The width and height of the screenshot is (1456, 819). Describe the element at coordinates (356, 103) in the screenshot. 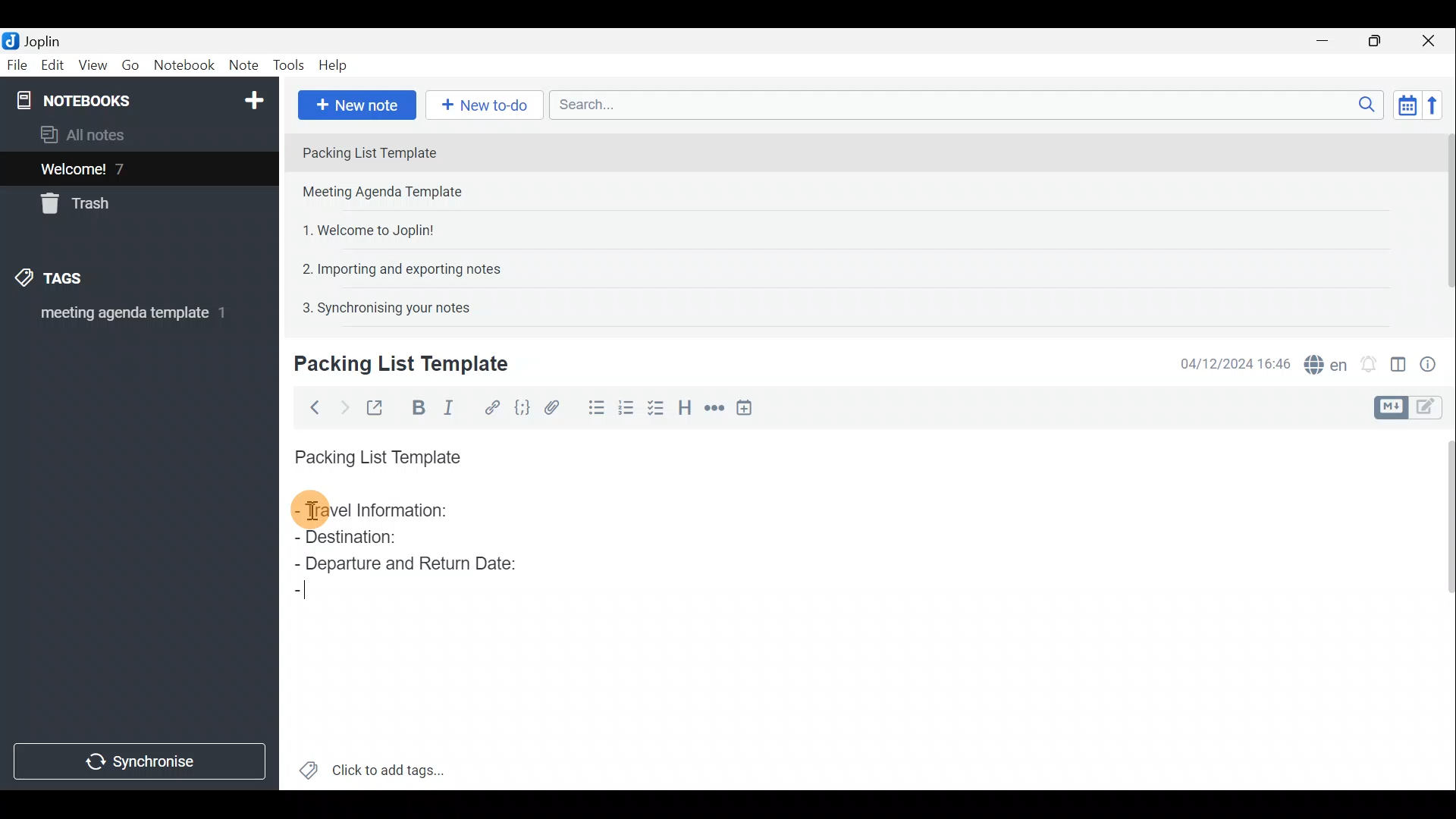

I see `New note` at that location.